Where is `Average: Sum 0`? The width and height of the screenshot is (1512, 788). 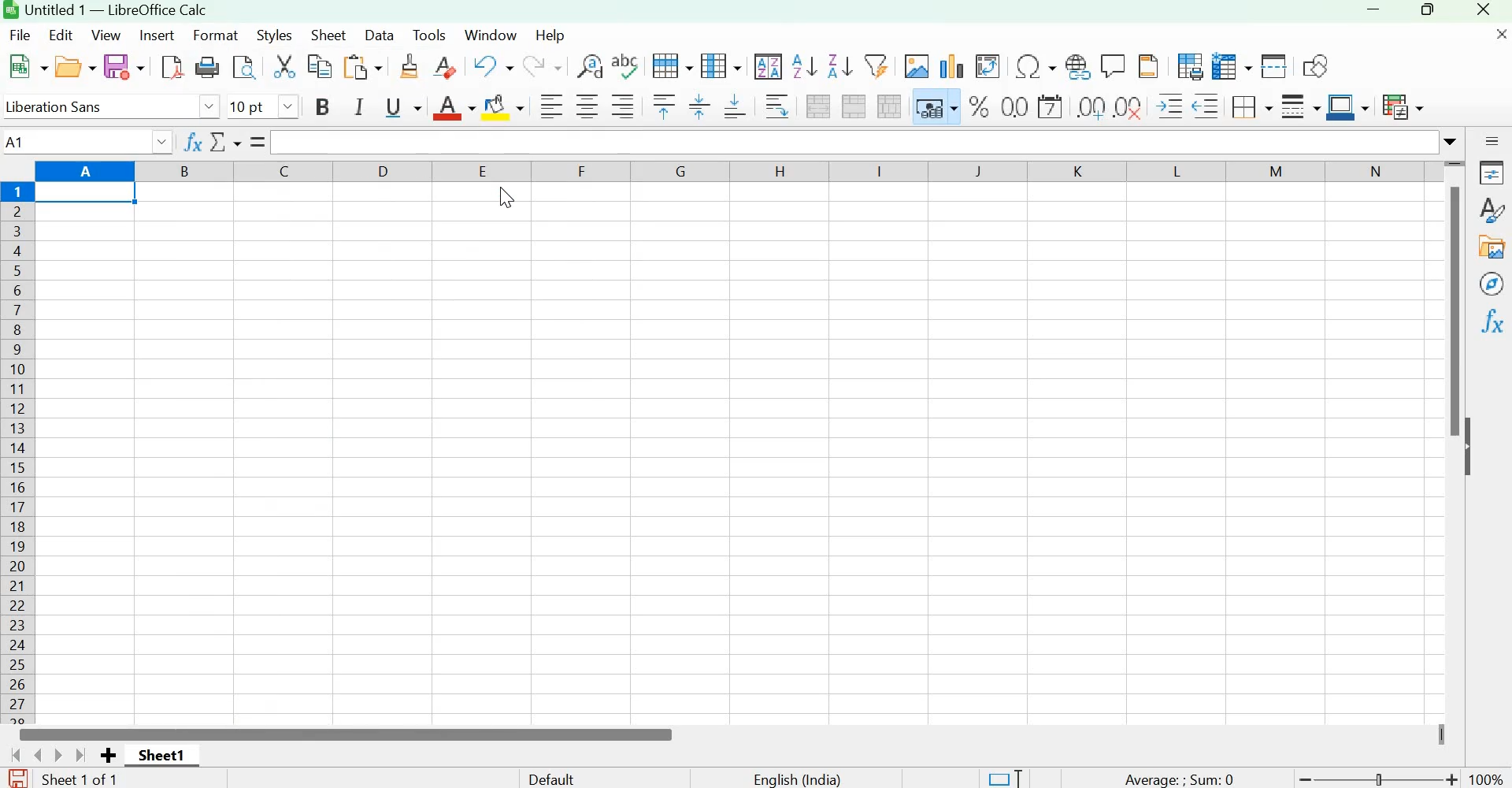
Average: Sum 0 is located at coordinates (1177, 778).